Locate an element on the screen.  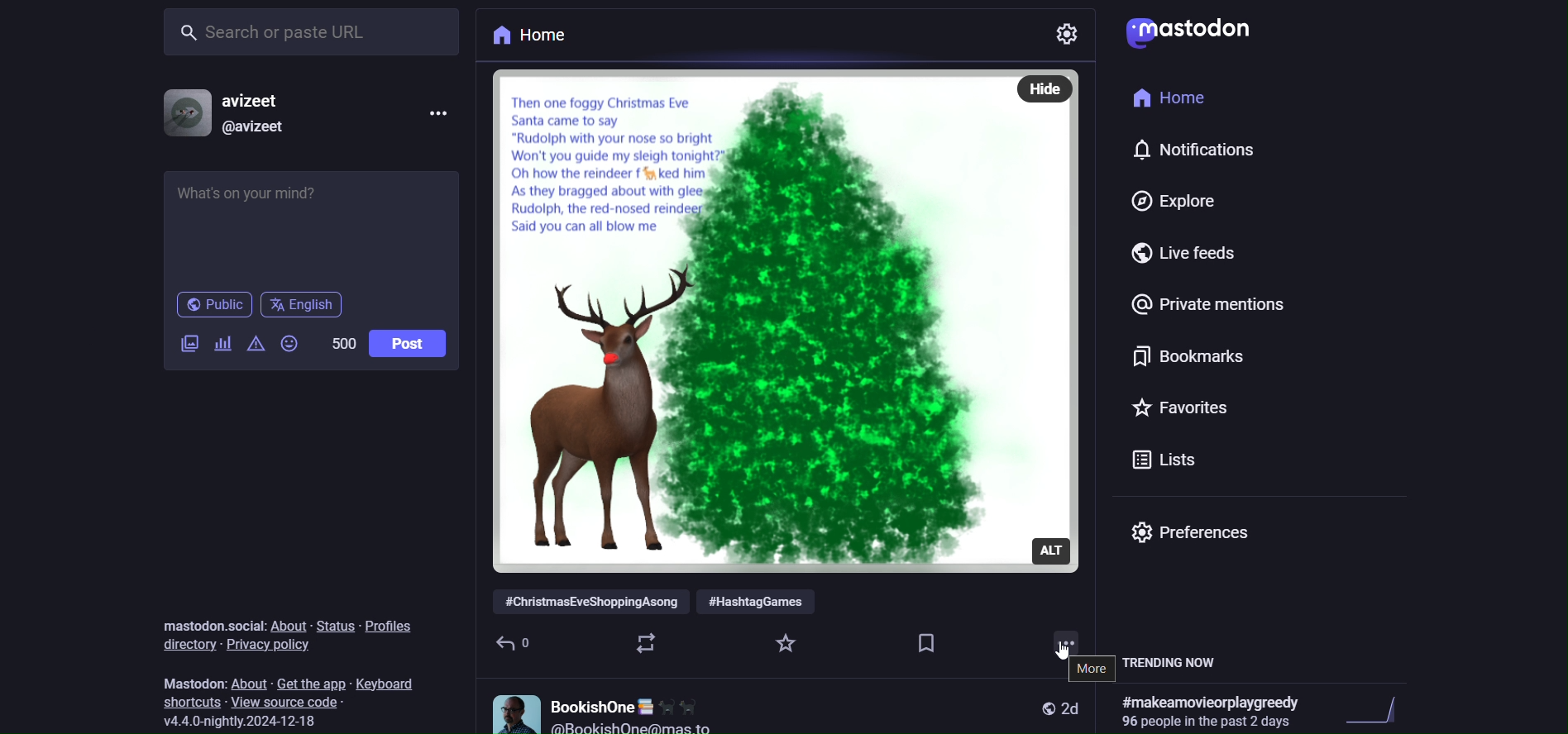
profile picture is located at coordinates (511, 710).